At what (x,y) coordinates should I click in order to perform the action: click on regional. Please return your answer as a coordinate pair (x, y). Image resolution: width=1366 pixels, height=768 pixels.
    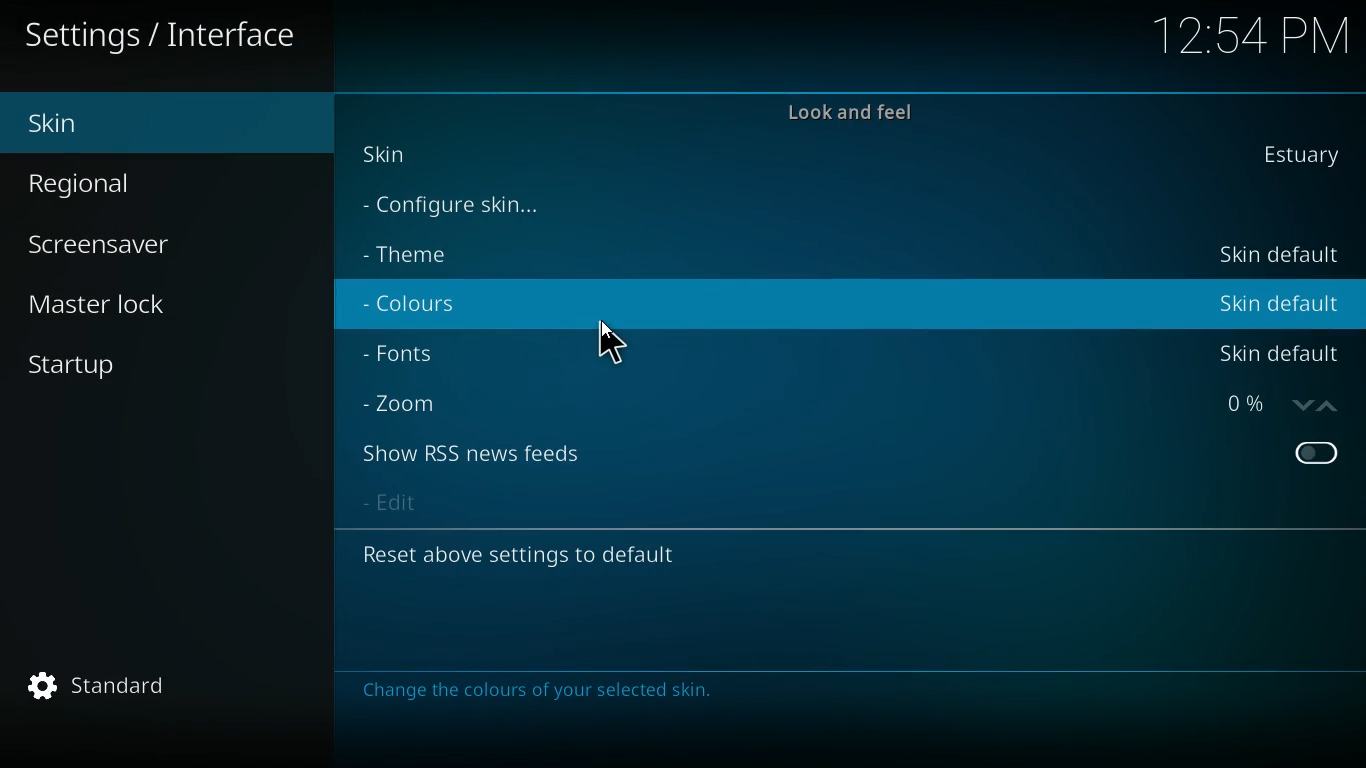
    Looking at the image, I should click on (126, 184).